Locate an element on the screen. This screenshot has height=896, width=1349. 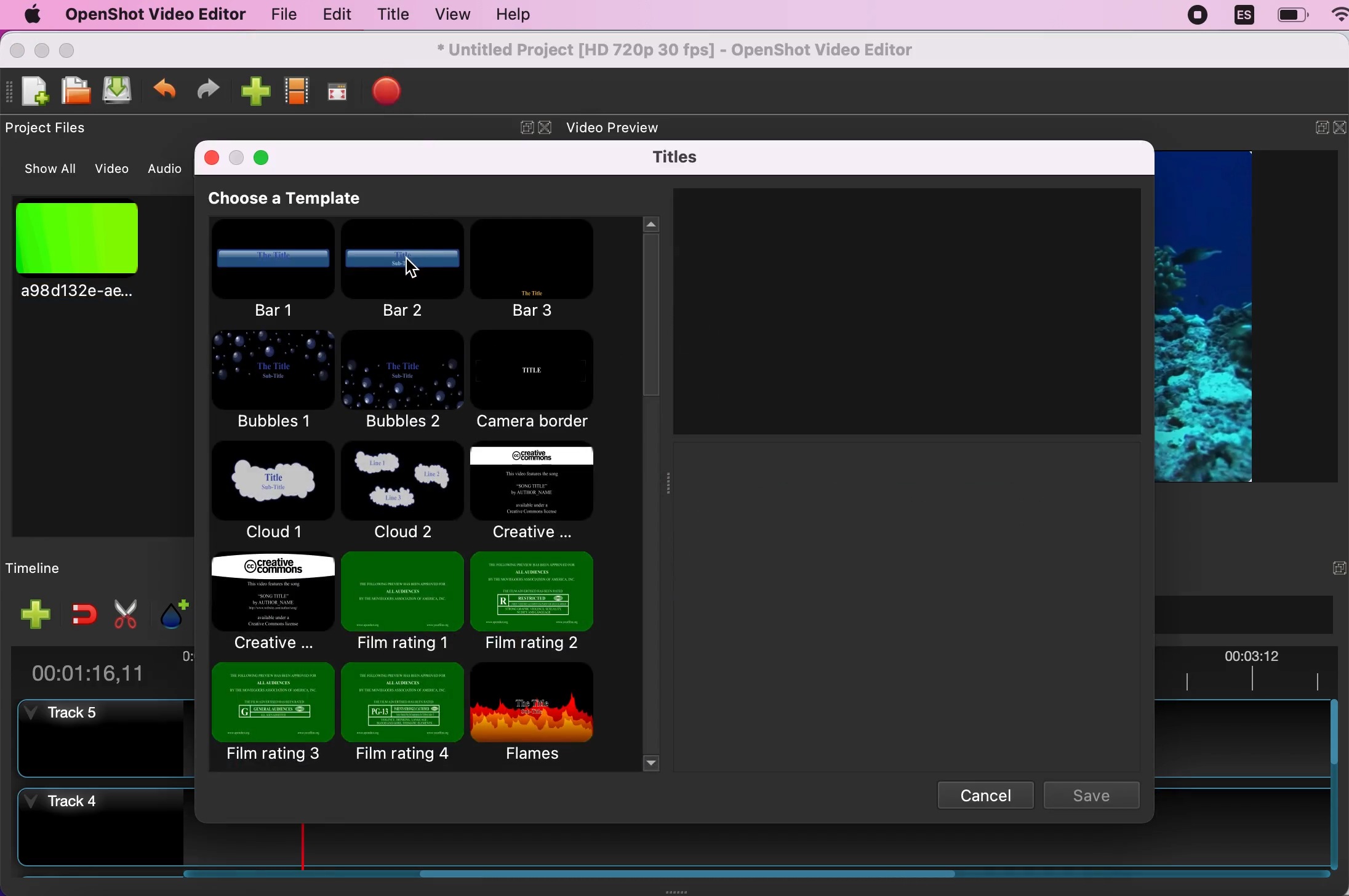
track 5 is located at coordinates (110, 740).